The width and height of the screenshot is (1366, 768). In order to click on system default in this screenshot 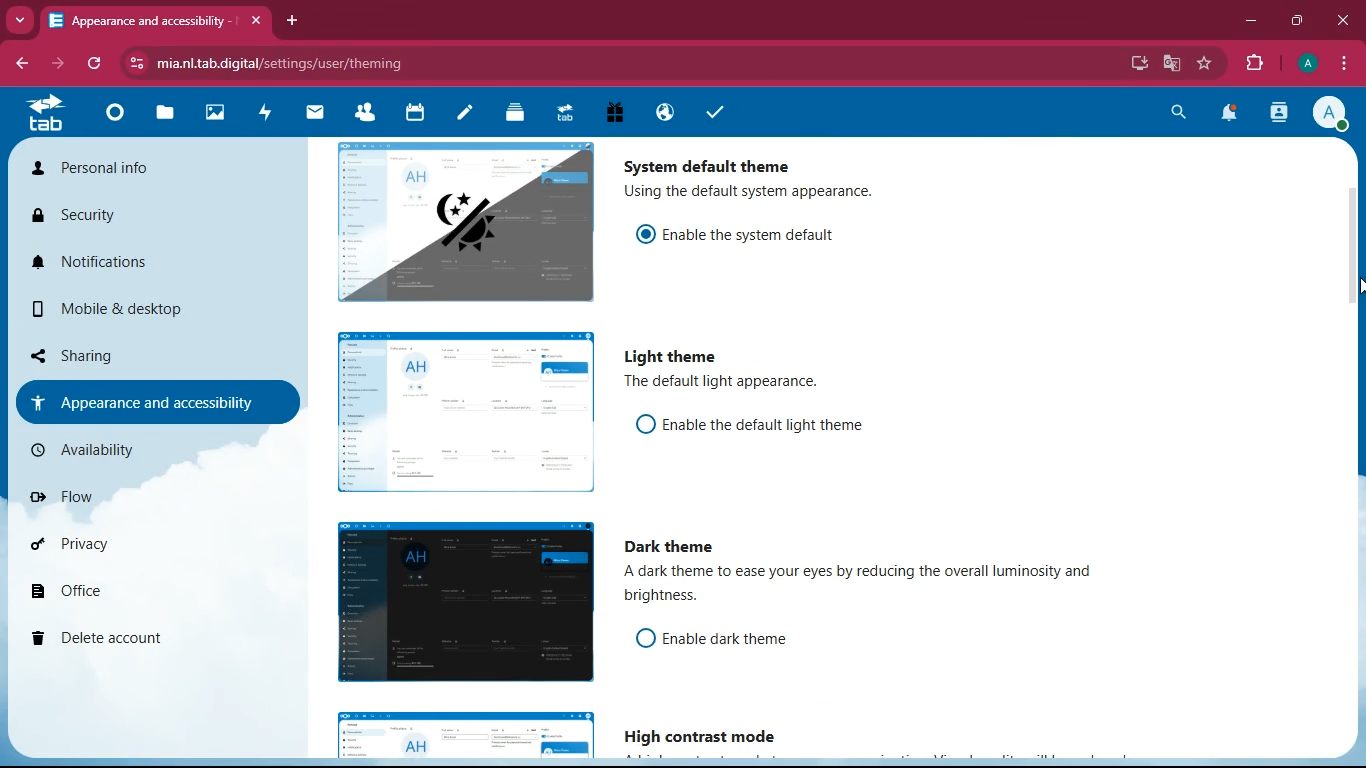, I will do `click(711, 162)`.